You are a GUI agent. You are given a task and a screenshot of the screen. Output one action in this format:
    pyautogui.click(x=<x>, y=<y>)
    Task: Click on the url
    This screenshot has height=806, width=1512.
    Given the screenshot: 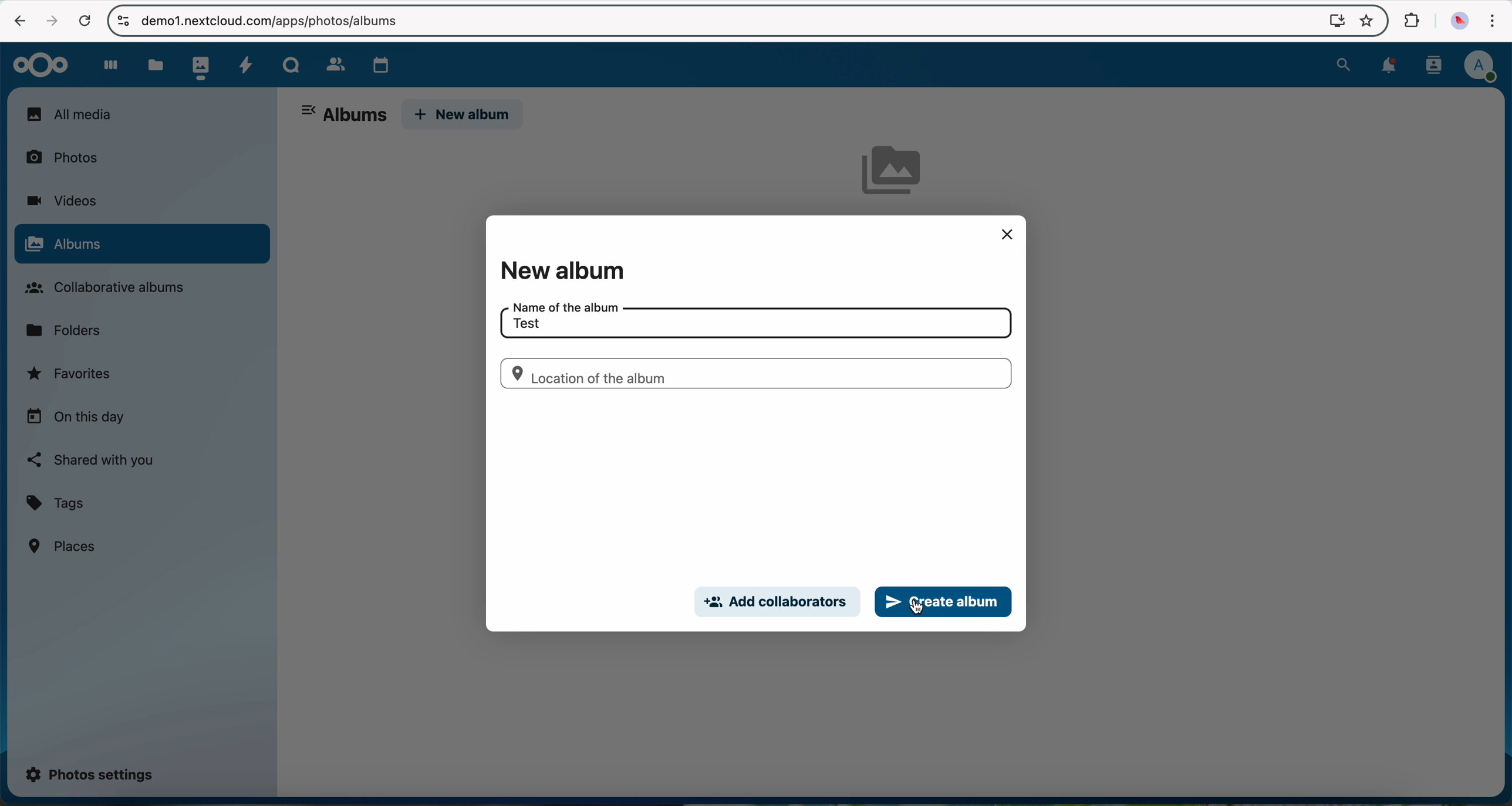 What is the action you would take?
    pyautogui.click(x=279, y=21)
    